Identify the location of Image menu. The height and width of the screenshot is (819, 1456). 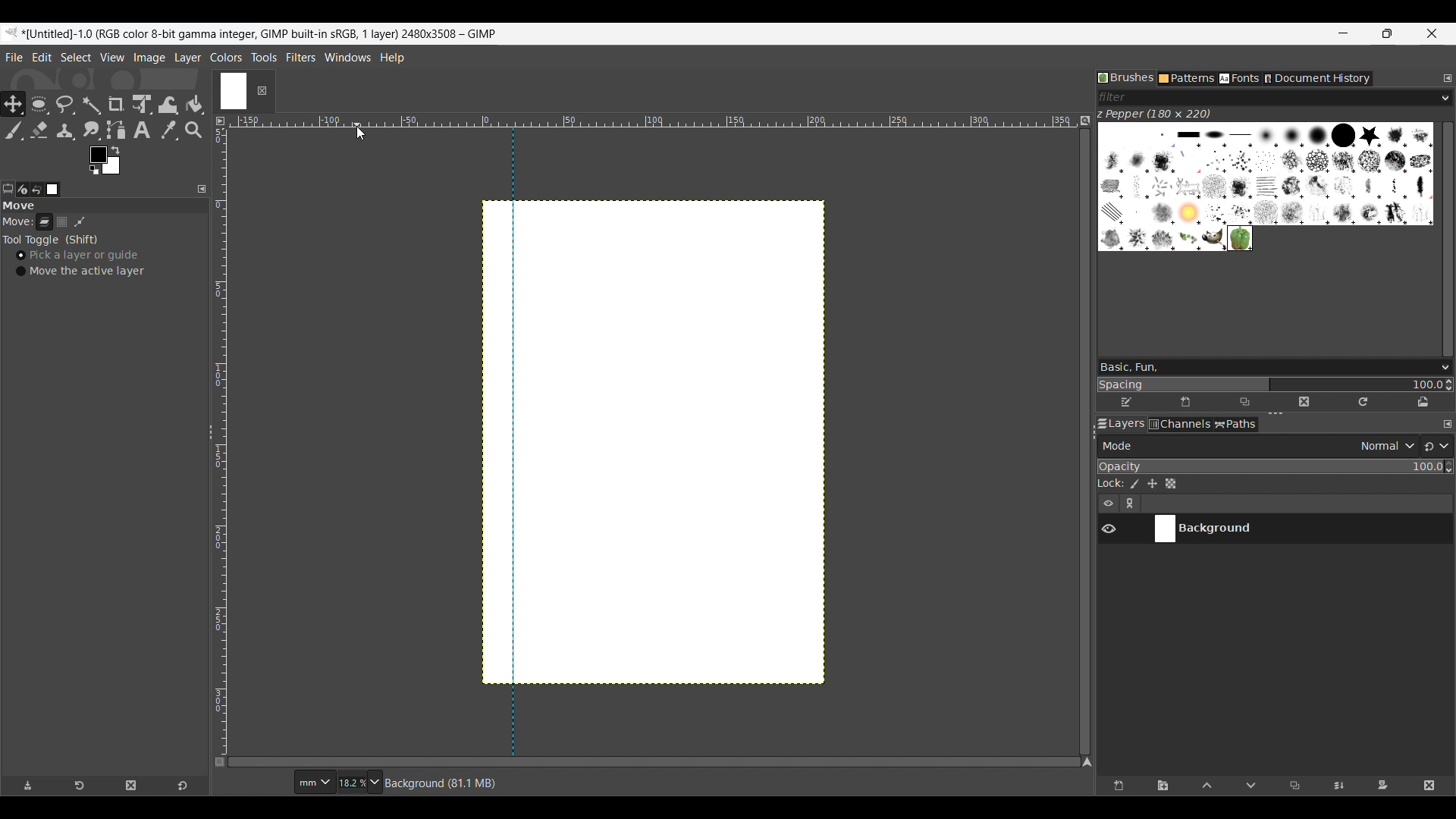
(149, 58).